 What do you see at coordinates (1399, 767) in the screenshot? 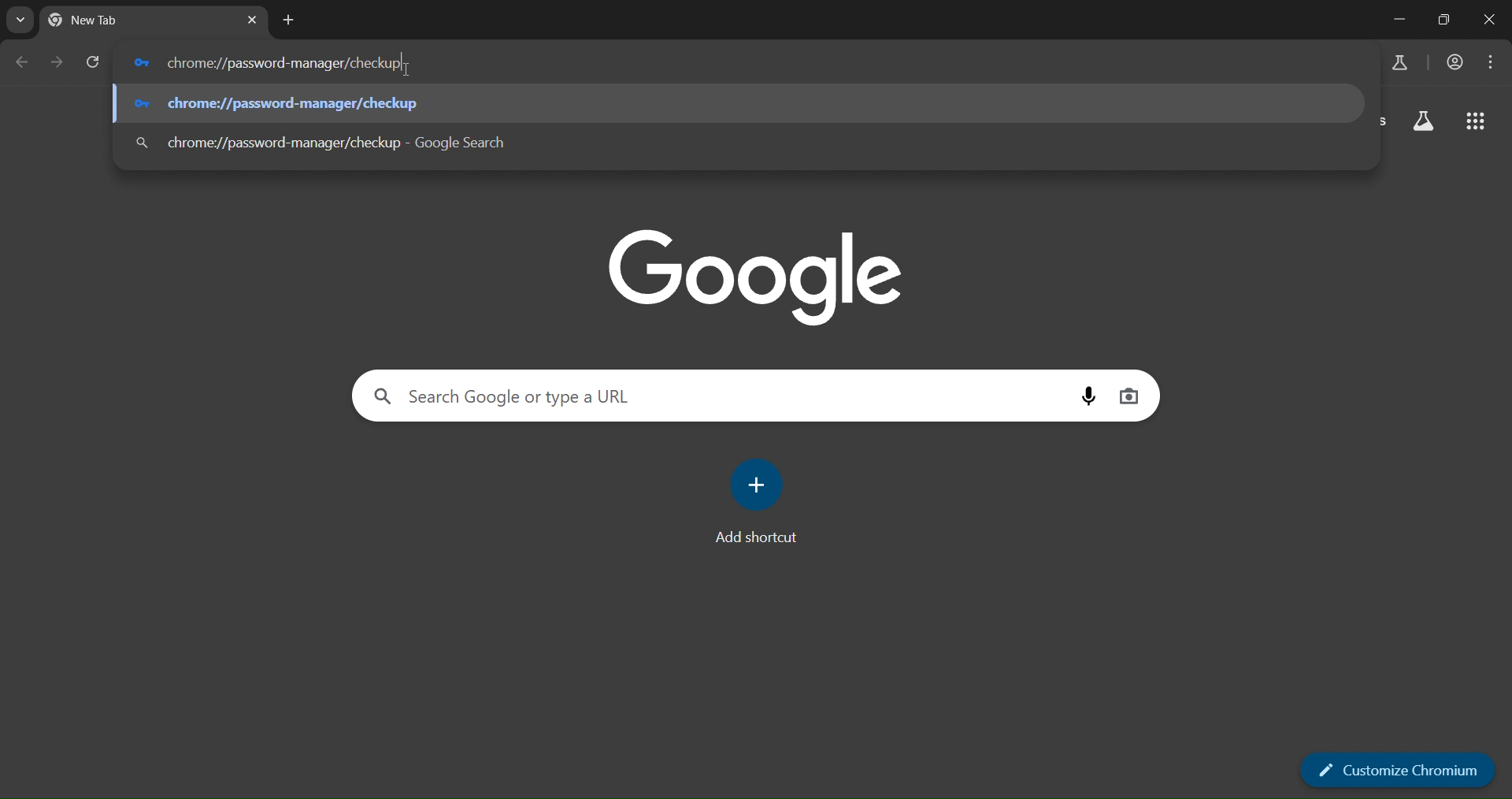
I see `customize chromium` at bounding box center [1399, 767].